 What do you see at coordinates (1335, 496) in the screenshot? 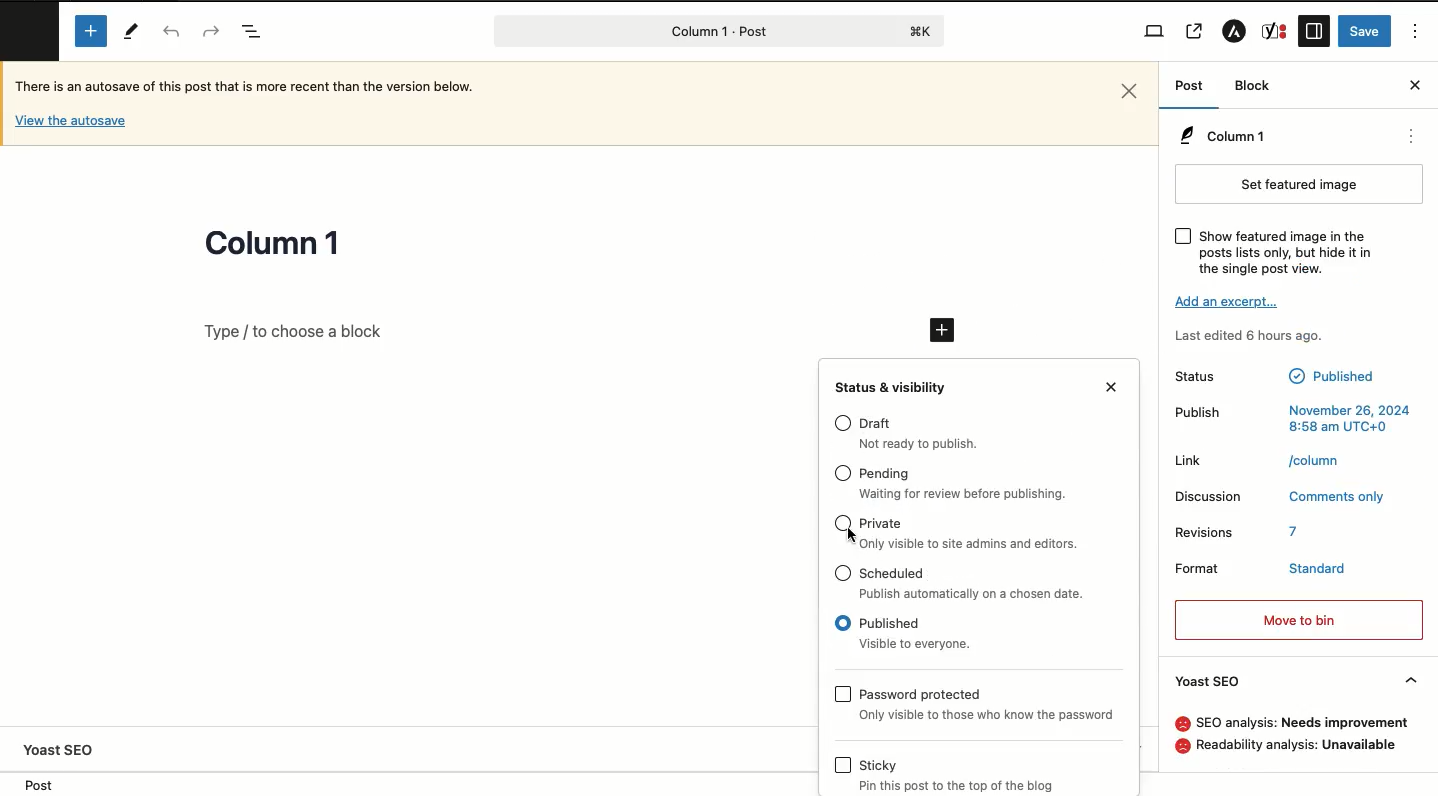
I see `Comments only` at bounding box center [1335, 496].